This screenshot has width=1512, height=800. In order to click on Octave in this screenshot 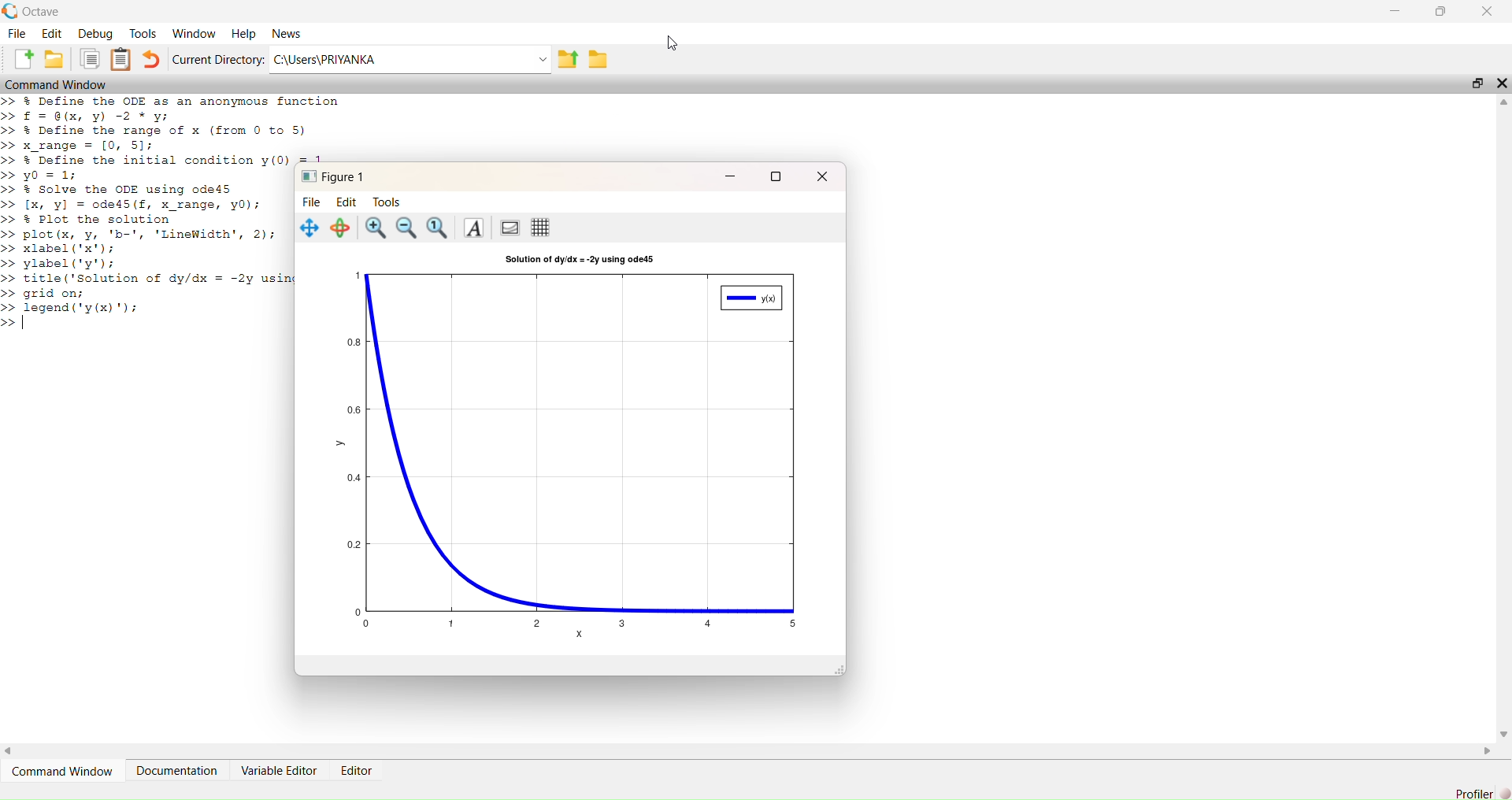, I will do `click(41, 12)`.